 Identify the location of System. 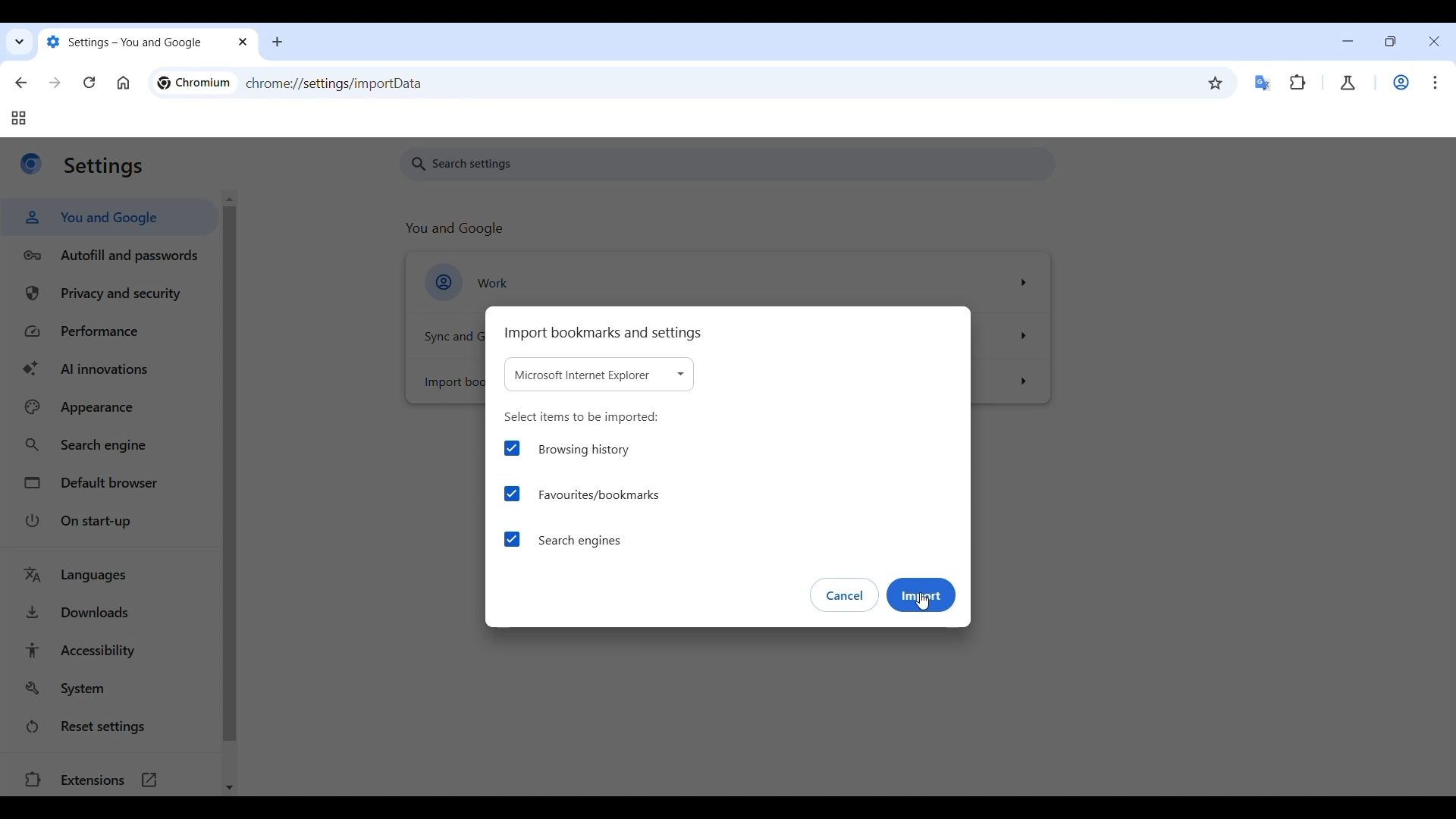
(110, 688).